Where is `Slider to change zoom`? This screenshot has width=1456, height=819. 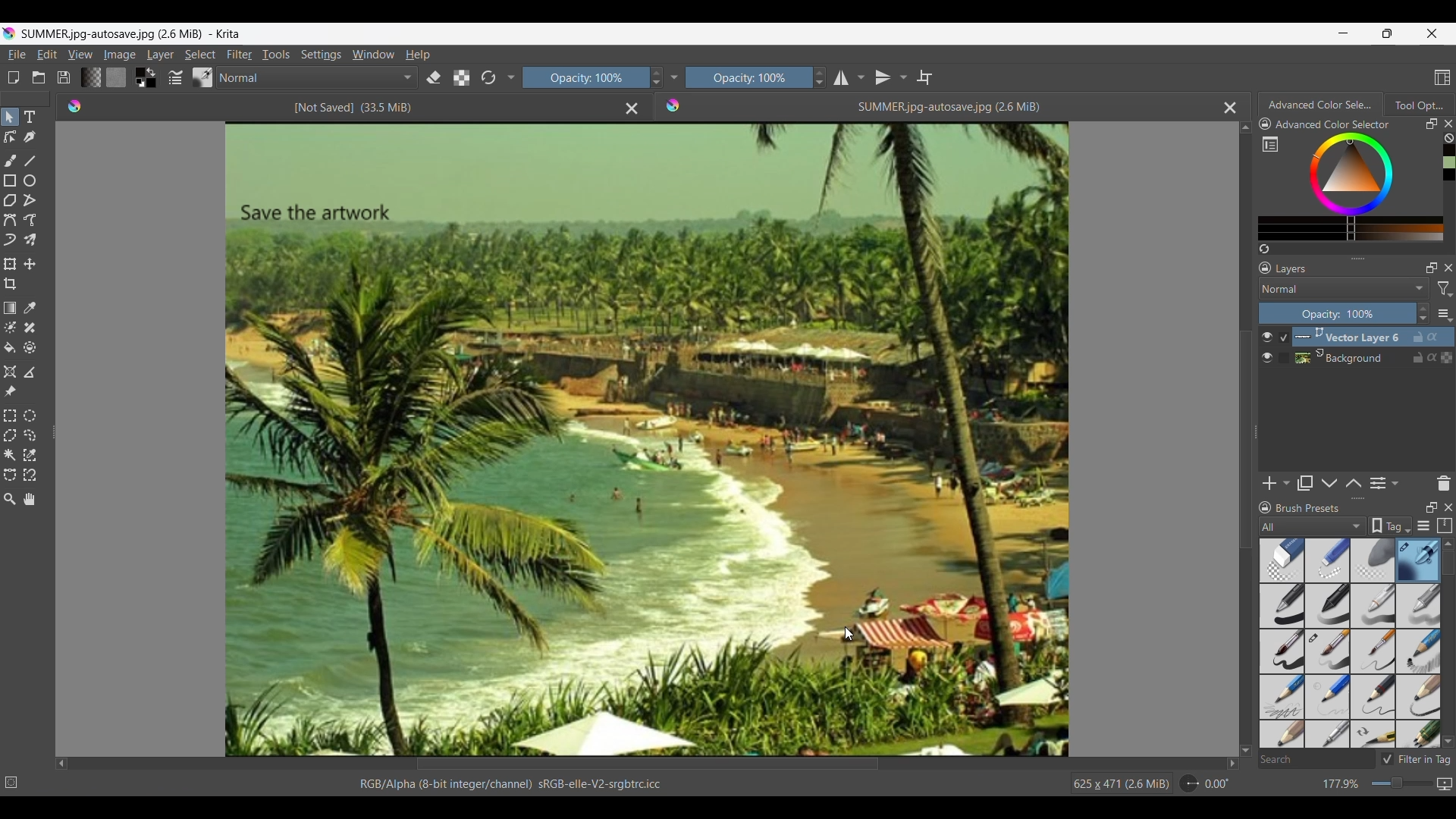 Slider to change zoom is located at coordinates (1401, 783).